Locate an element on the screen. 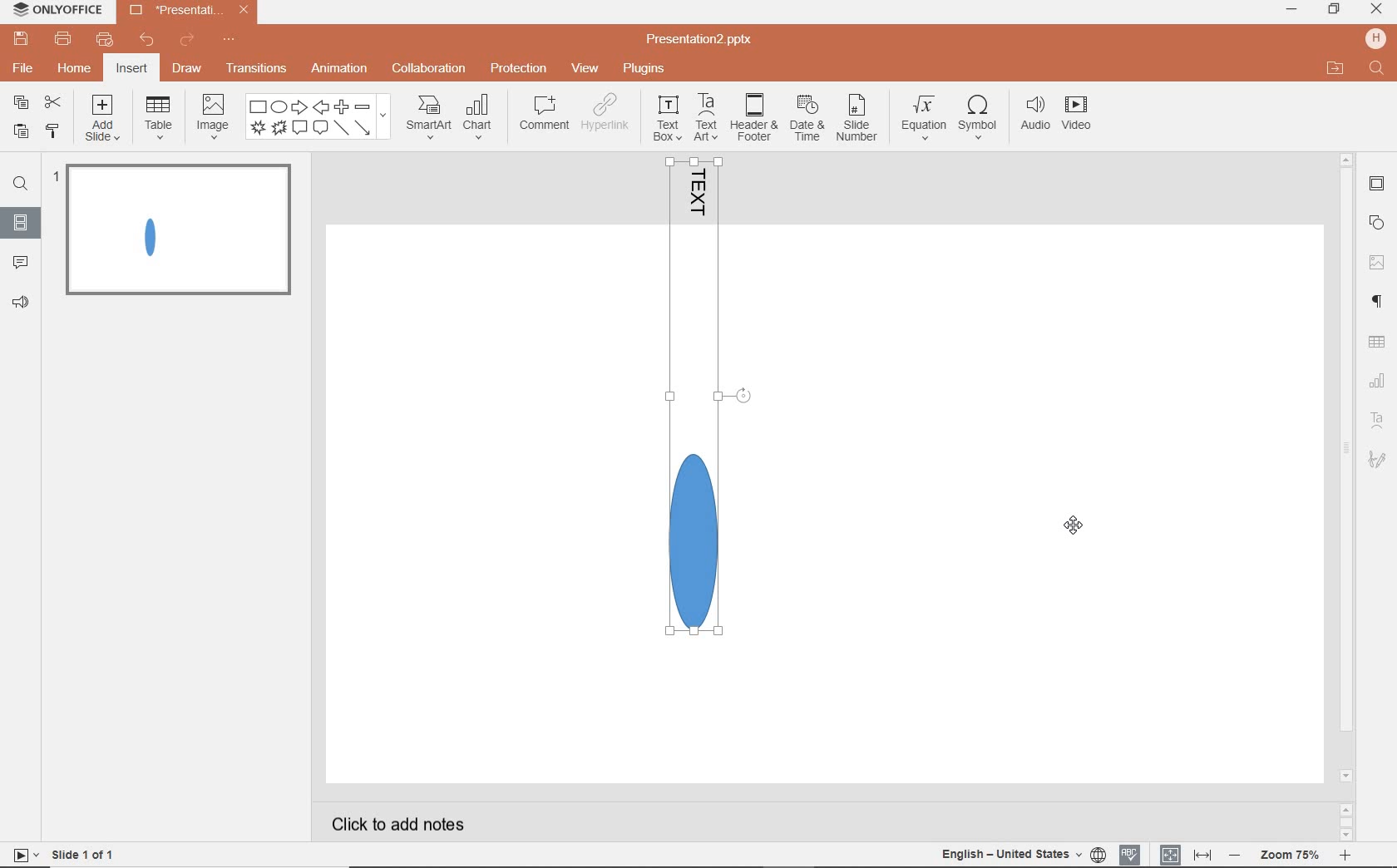  print is located at coordinates (64, 39).